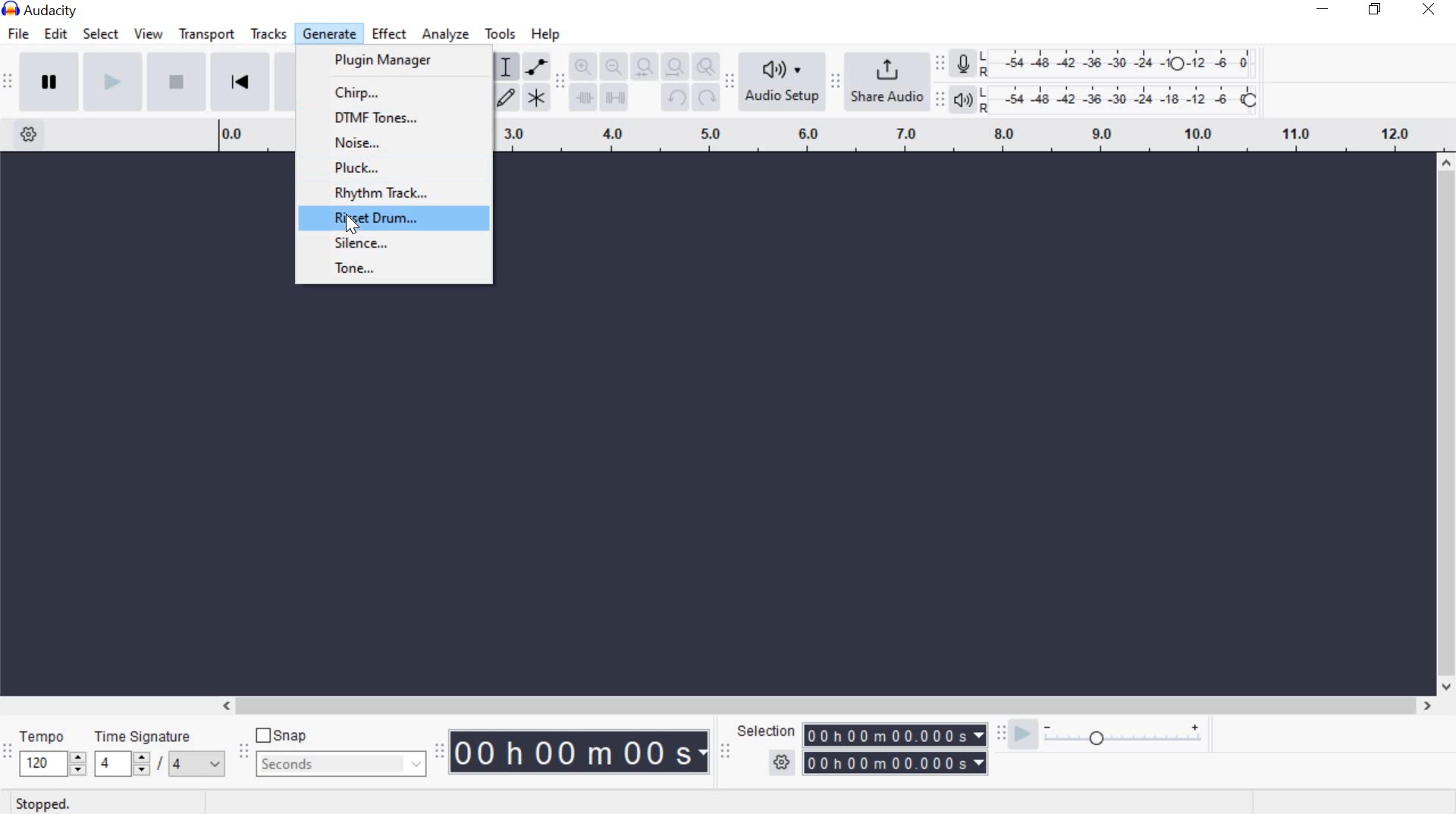 Image resolution: width=1456 pixels, height=814 pixels. Describe the element at coordinates (939, 61) in the screenshot. I see `Recording meter toolbar` at that location.